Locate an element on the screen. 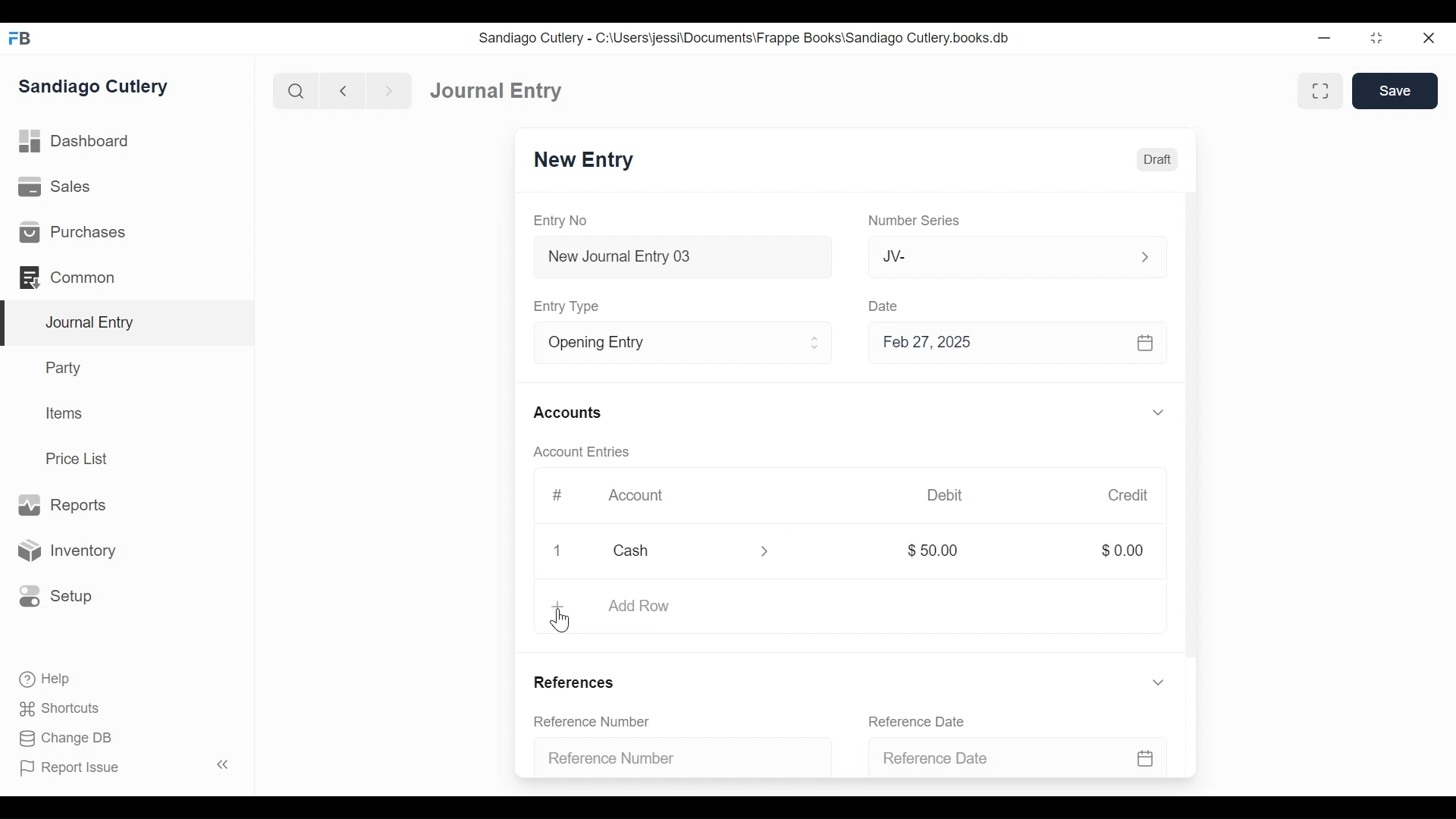  New Entry is located at coordinates (585, 161).